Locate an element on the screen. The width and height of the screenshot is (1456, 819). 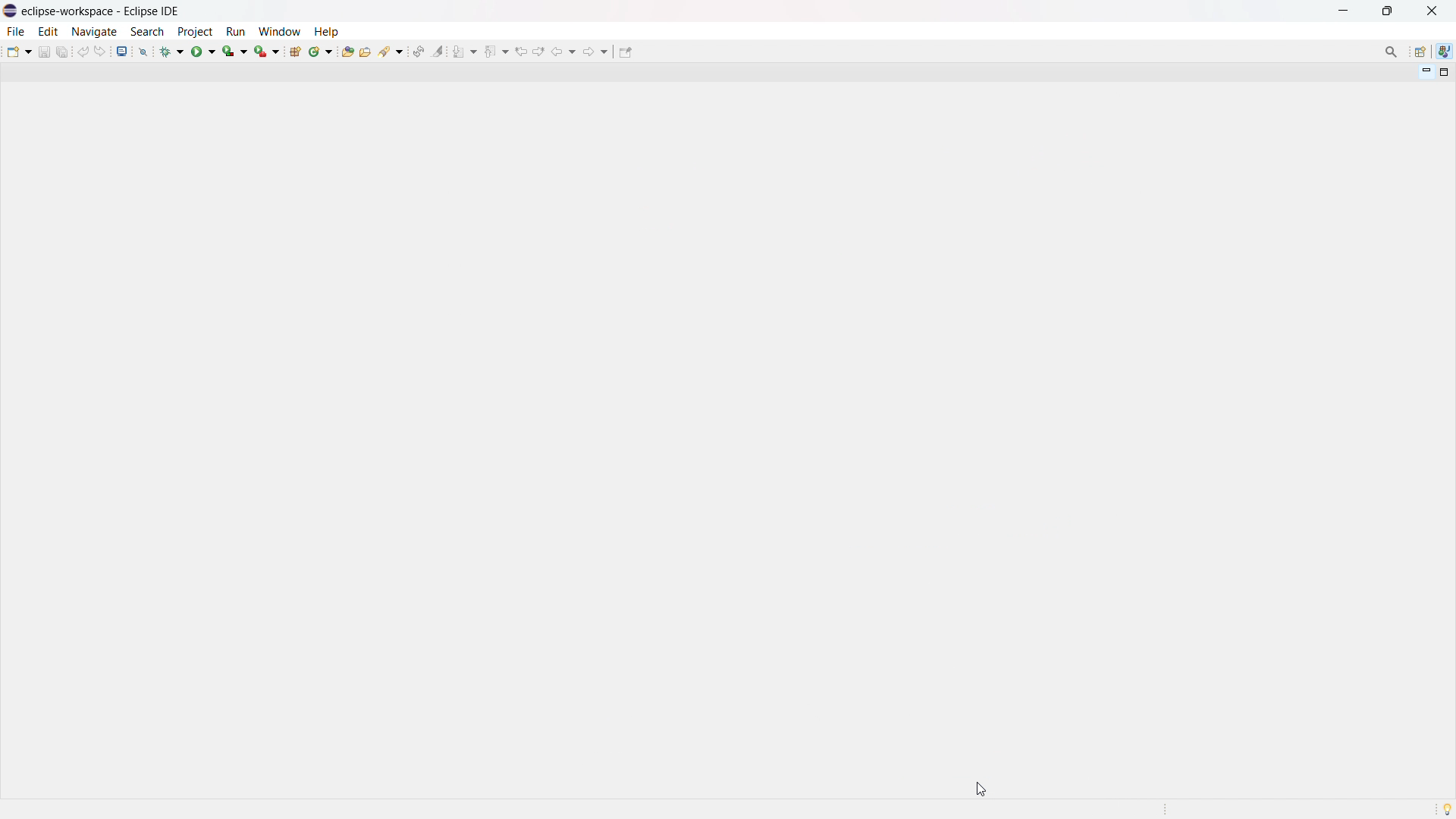
run last tool is located at coordinates (268, 51).